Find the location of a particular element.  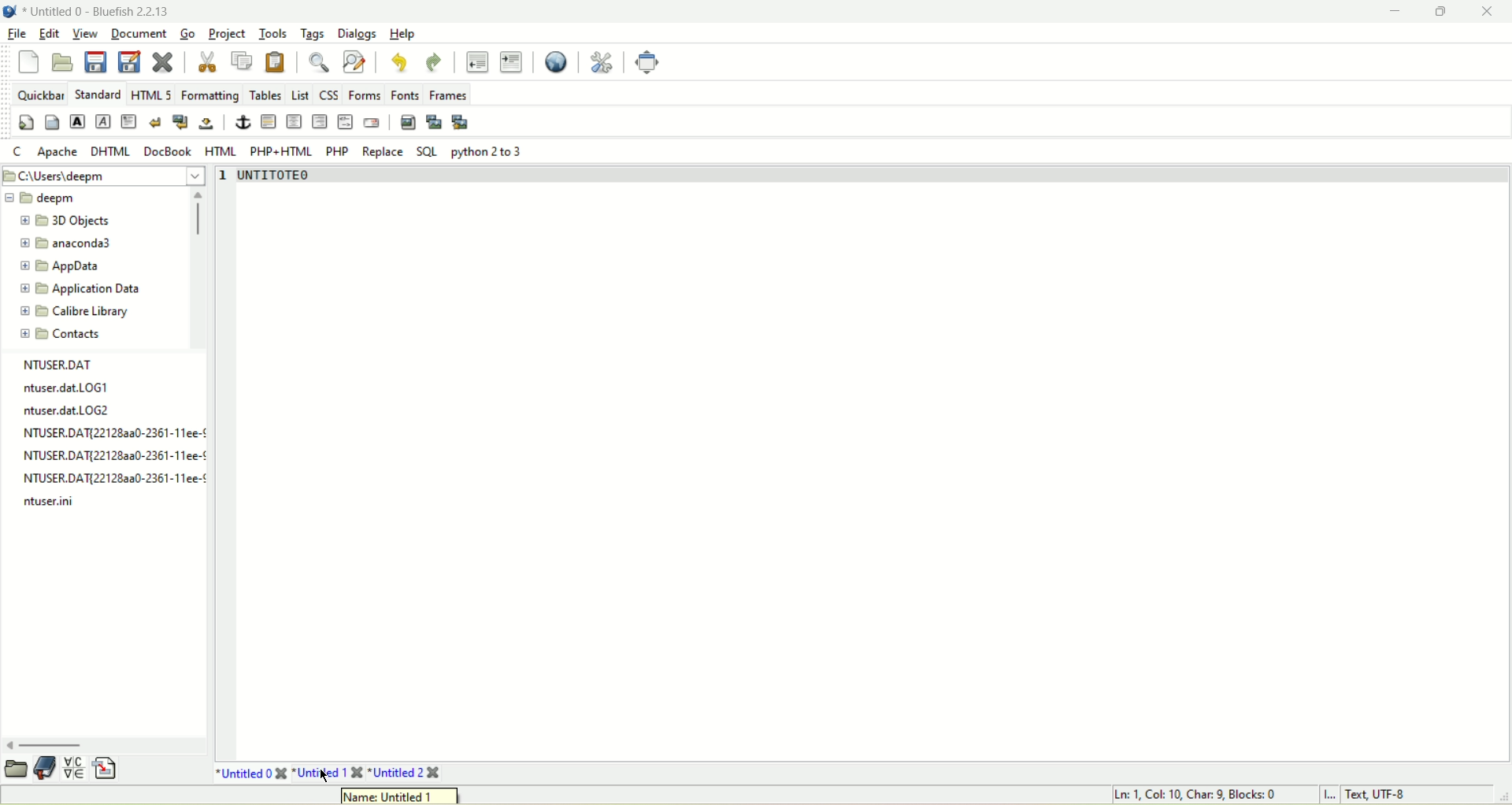

paragraph  is located at coordinates (126, 121).